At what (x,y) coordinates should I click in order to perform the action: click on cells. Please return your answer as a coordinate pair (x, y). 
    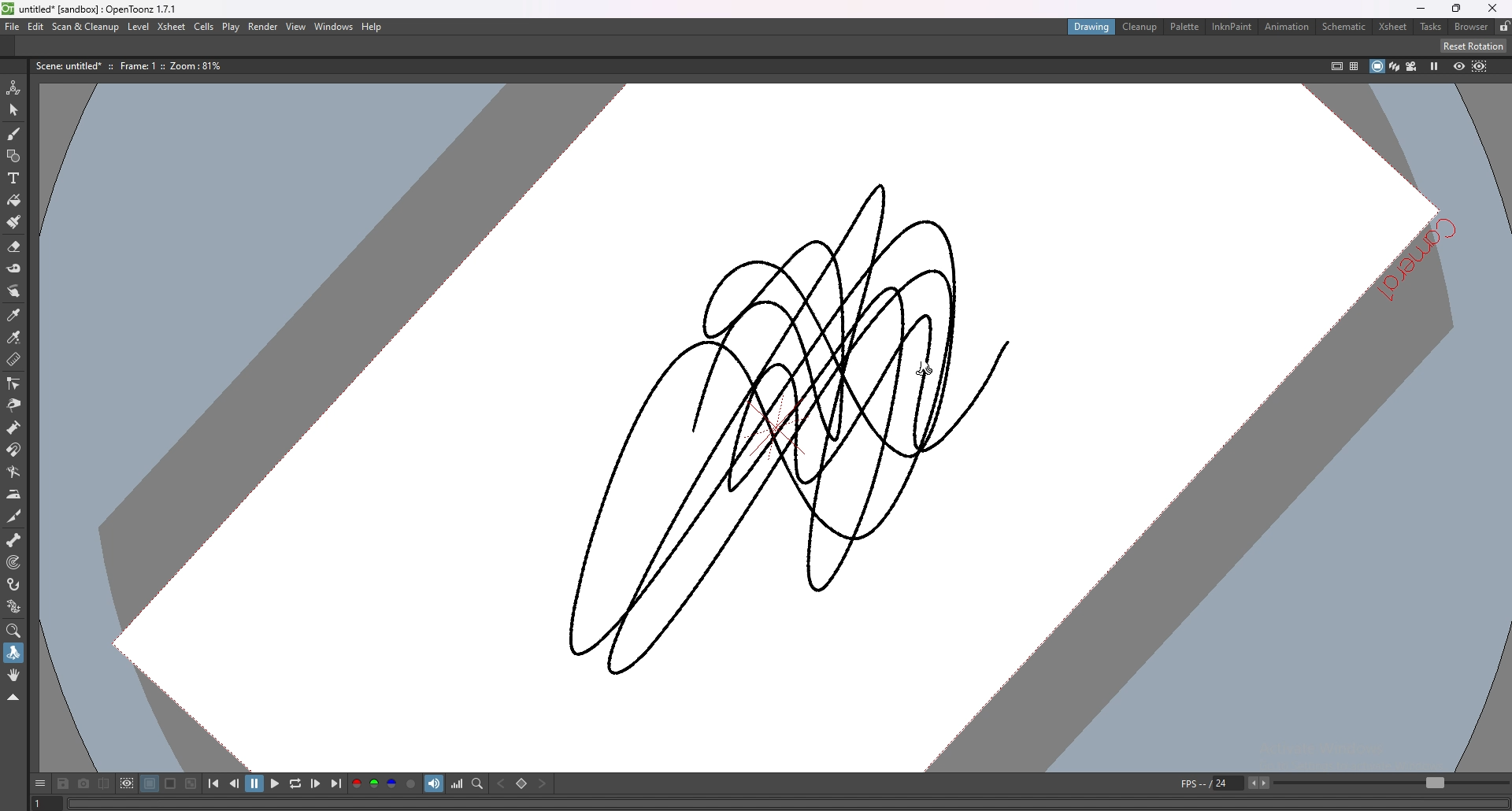
    Looking at the image, I should click on (205, 26).